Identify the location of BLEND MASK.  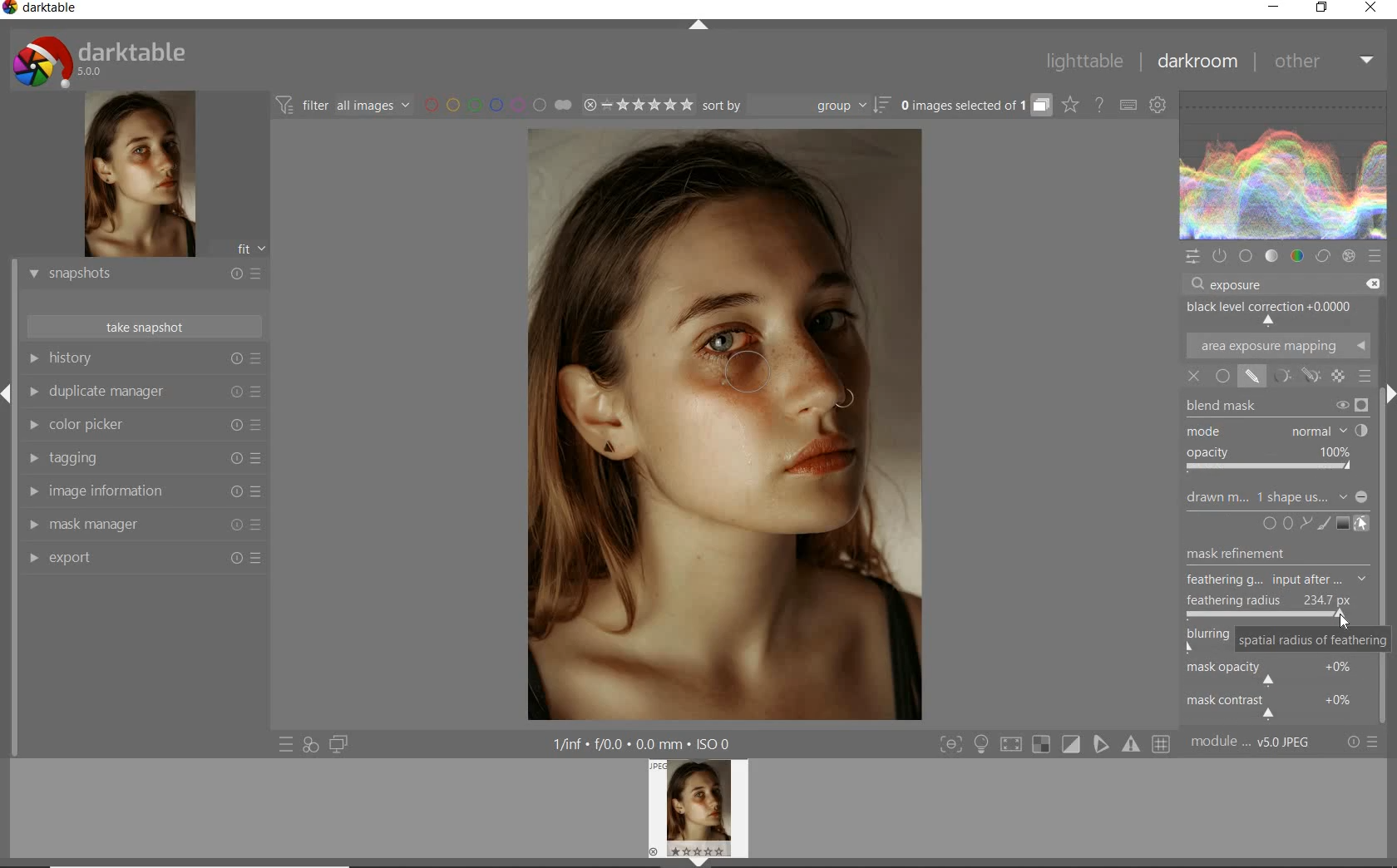
(1276, 406).